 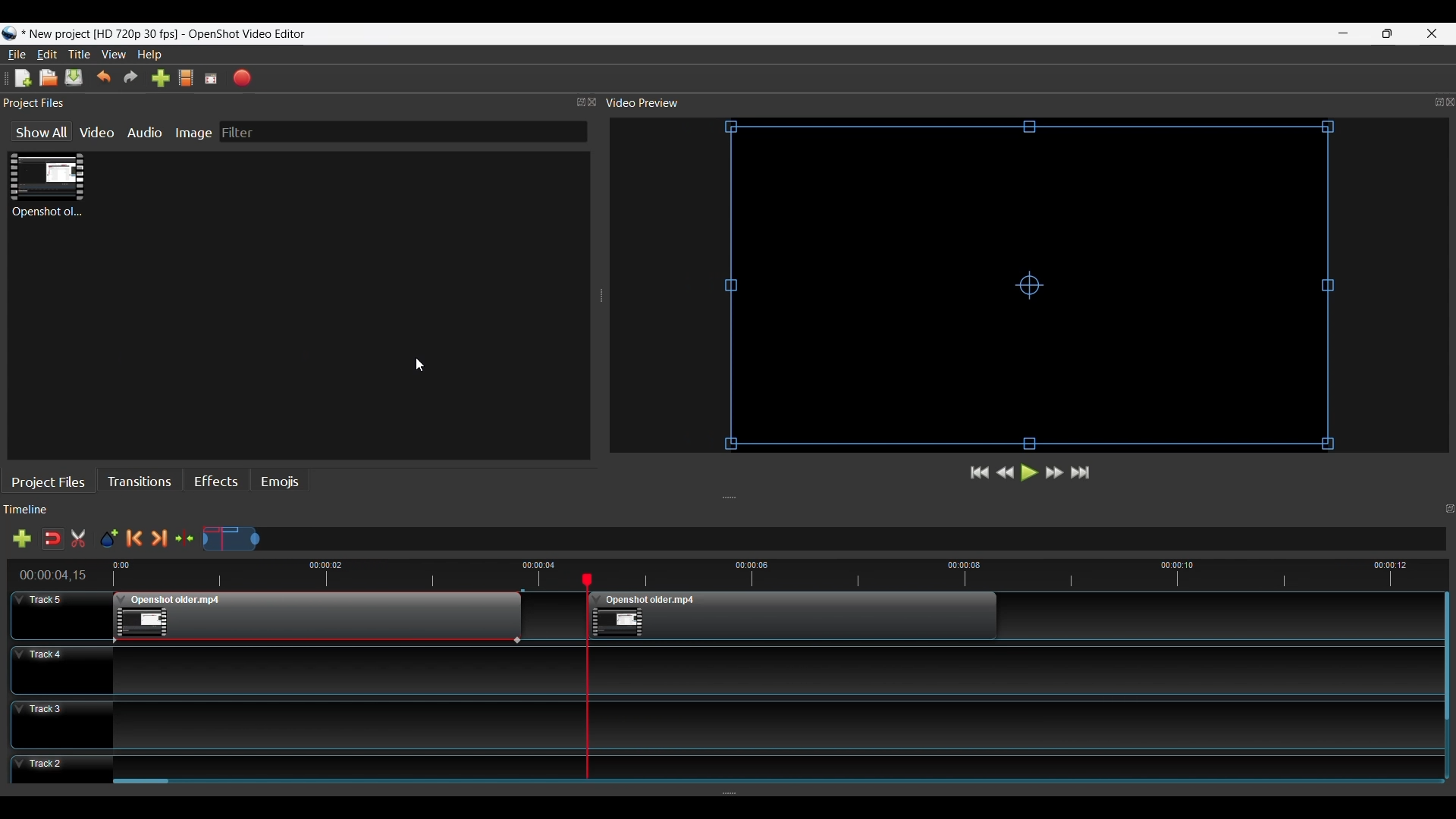 What do you see at coordinates (733, 511) in the screenshot?
I see `Timeline` at bounding box center [733, 511].